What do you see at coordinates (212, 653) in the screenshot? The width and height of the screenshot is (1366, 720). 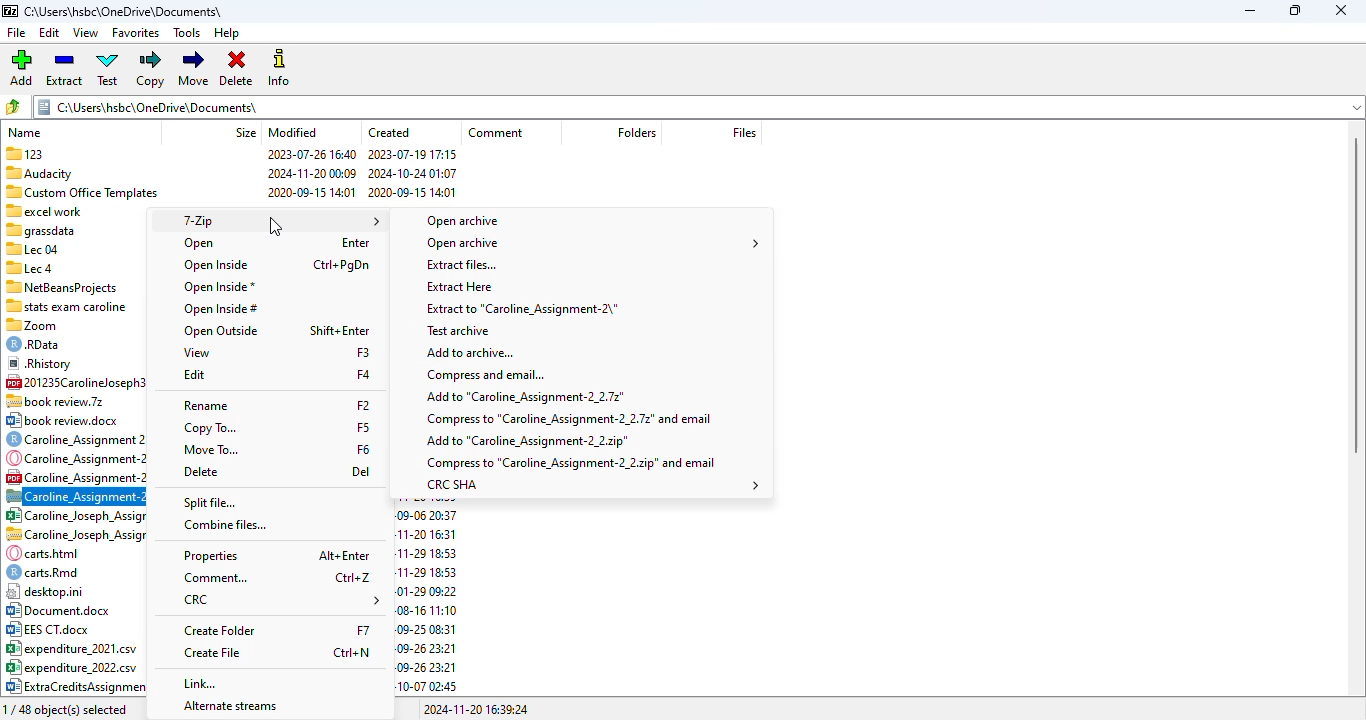 I see `create file` at bounding box center [212, 653].